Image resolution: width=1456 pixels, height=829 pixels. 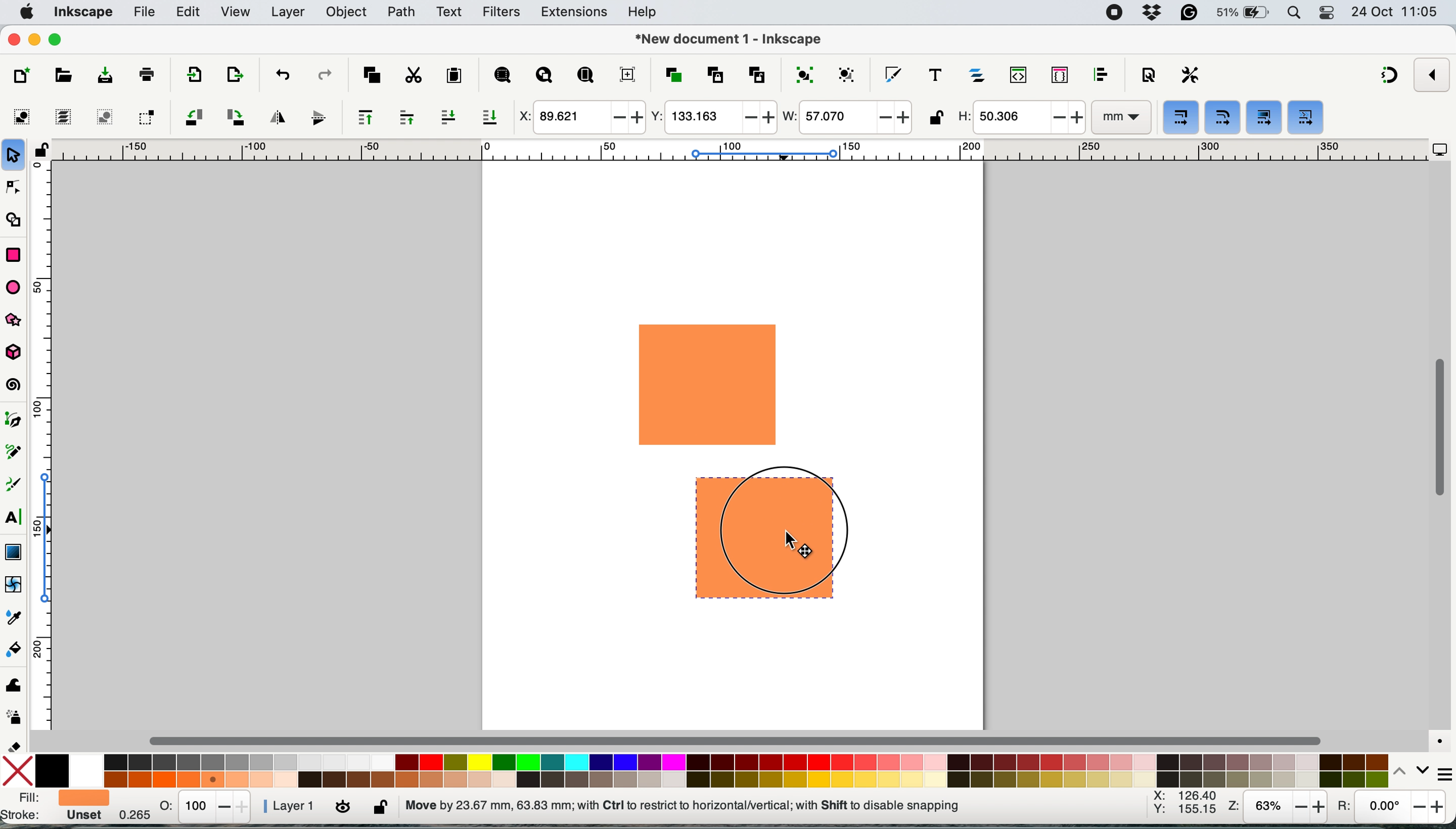 I want to click on inkscape, so click(x=83, y=13).